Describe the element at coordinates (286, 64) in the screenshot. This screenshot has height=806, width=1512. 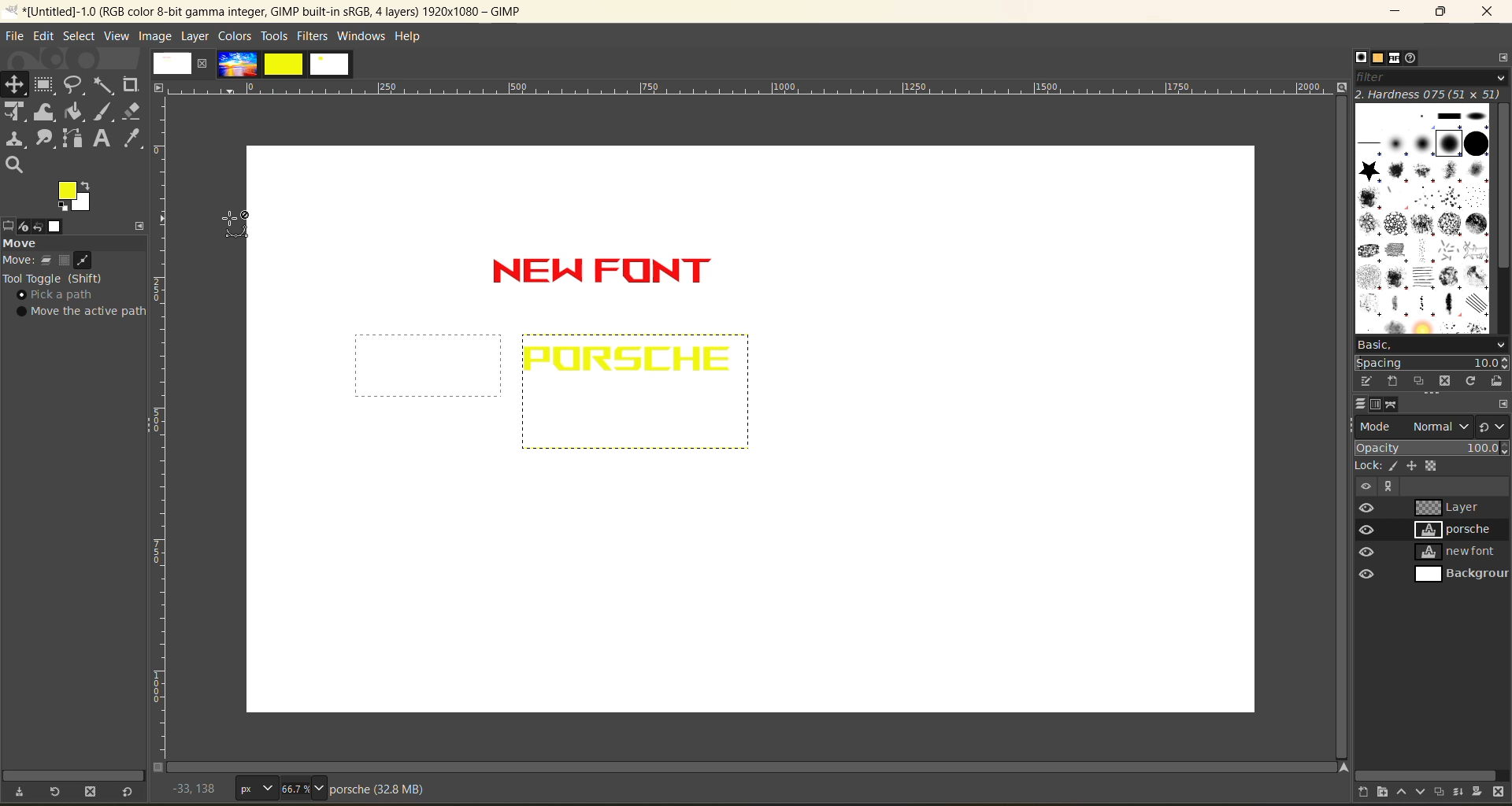
I see `images` at that location.